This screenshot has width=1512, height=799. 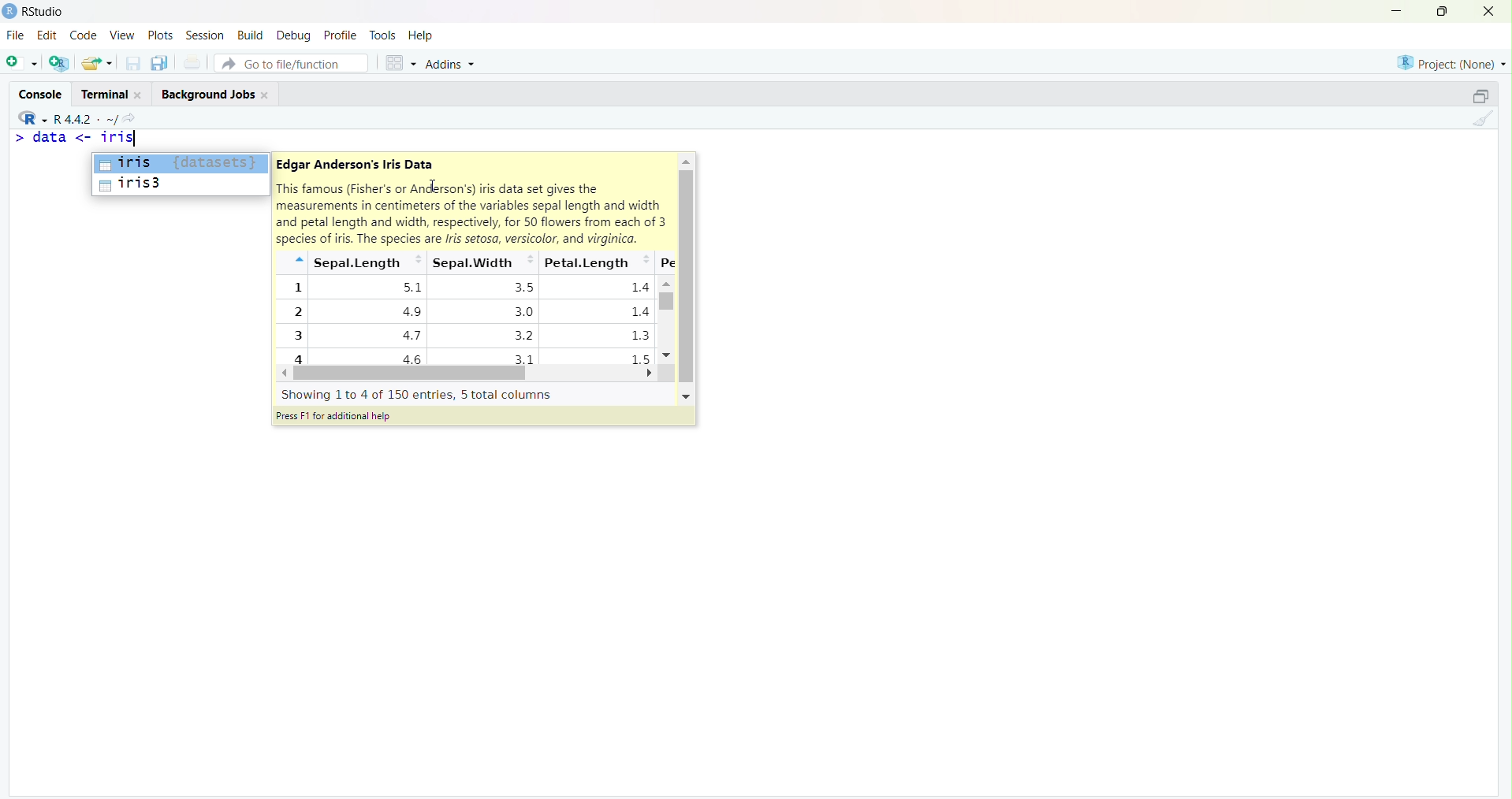 I want to click on Scrollbar, so click(x=684, y=278).